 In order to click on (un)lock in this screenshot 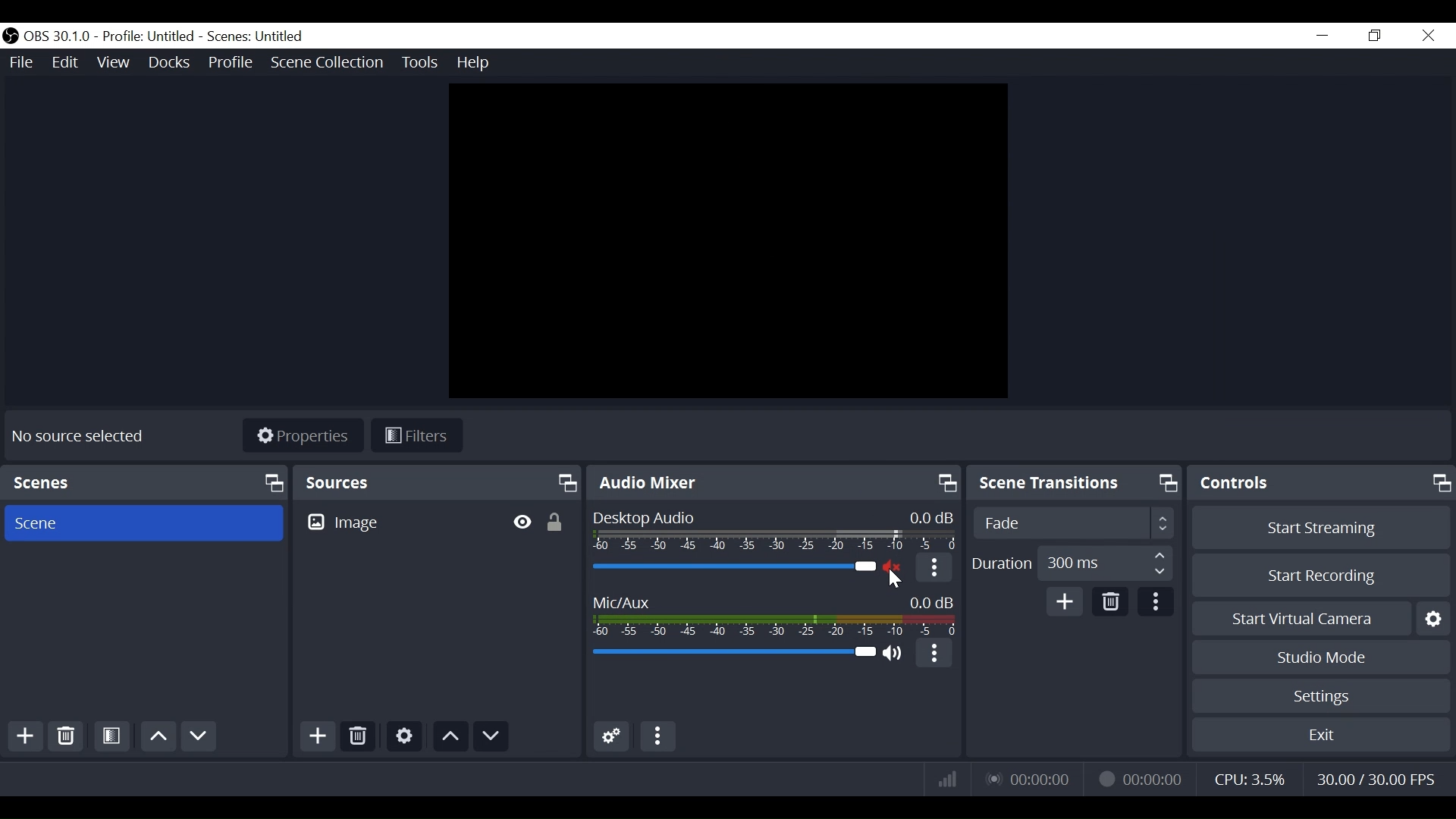, I will do `click(557, 522)`.